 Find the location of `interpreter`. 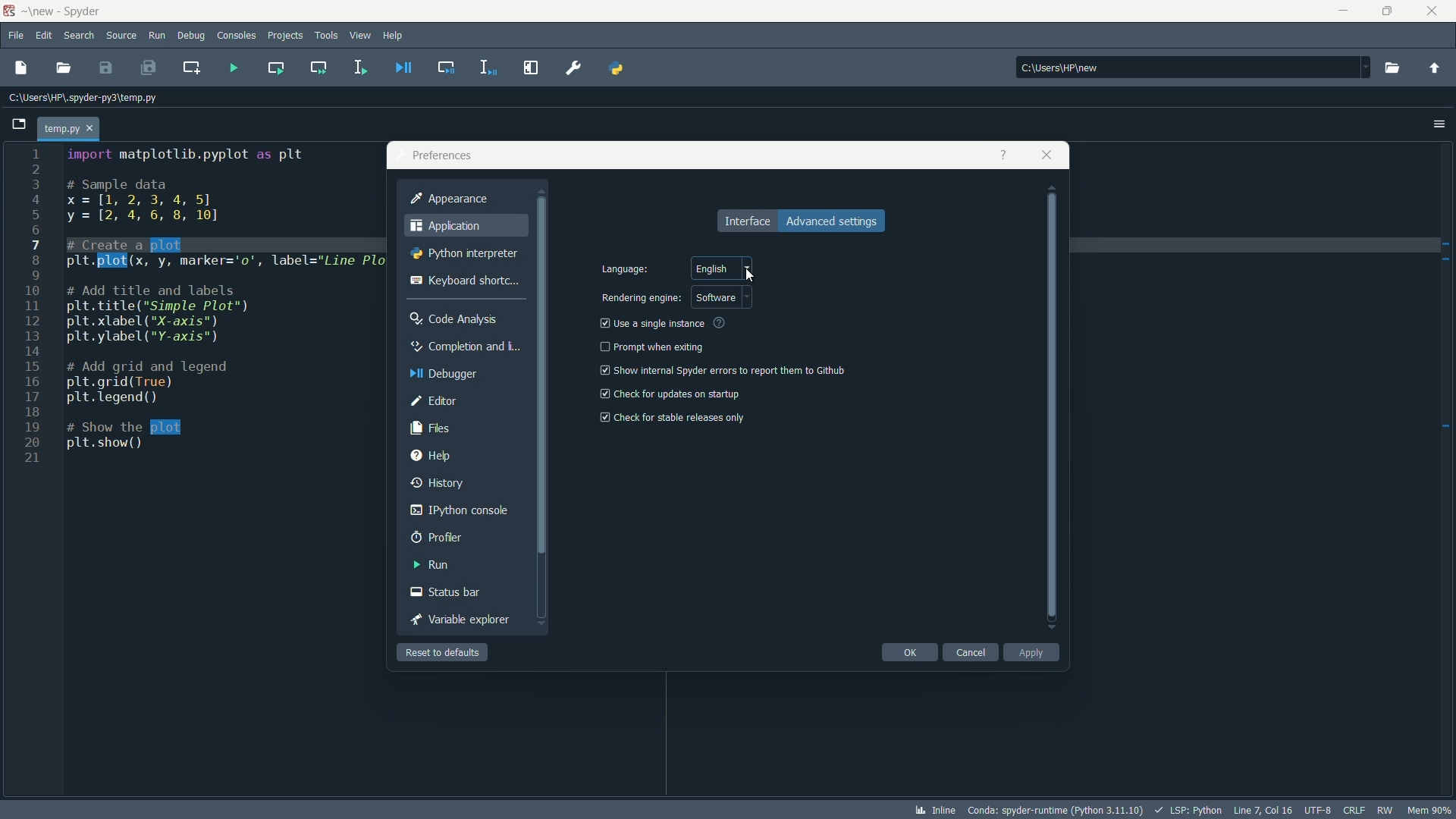

interpreter is located at coordinates (1056, 810).